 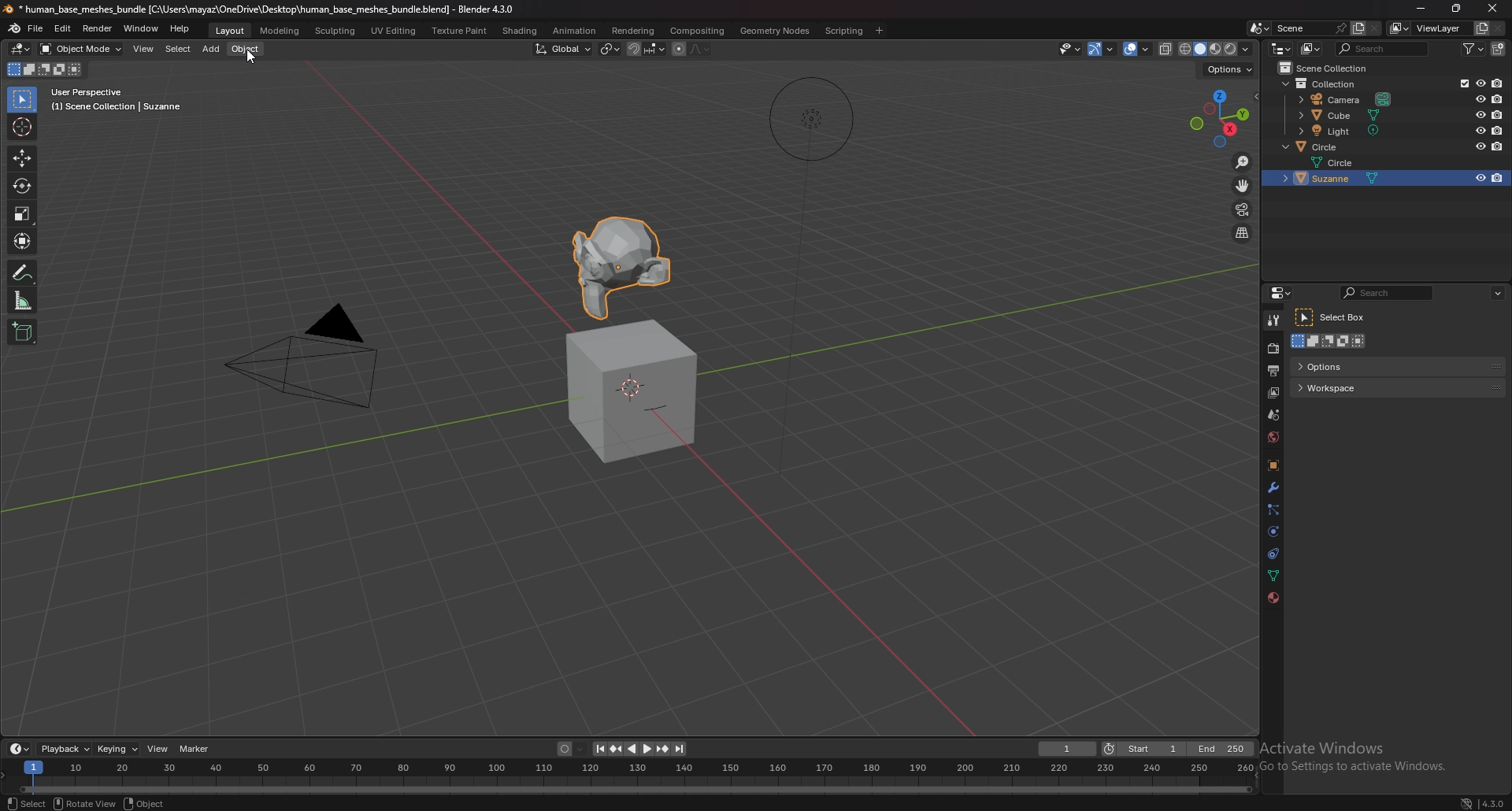 I want to click on particles, so click(x=1274, y=510).